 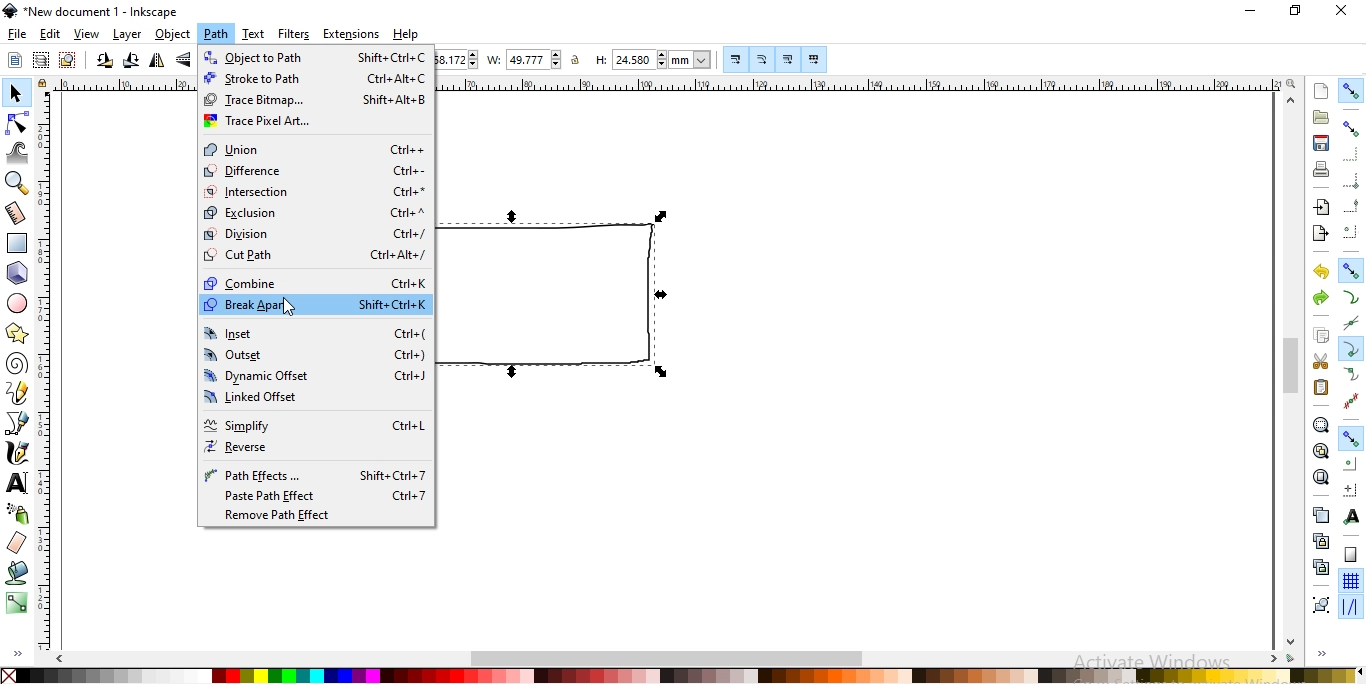 What do you see at coordinates (315, 358) in the screenshot?
I see `outset` at bounding box center [315, 358].